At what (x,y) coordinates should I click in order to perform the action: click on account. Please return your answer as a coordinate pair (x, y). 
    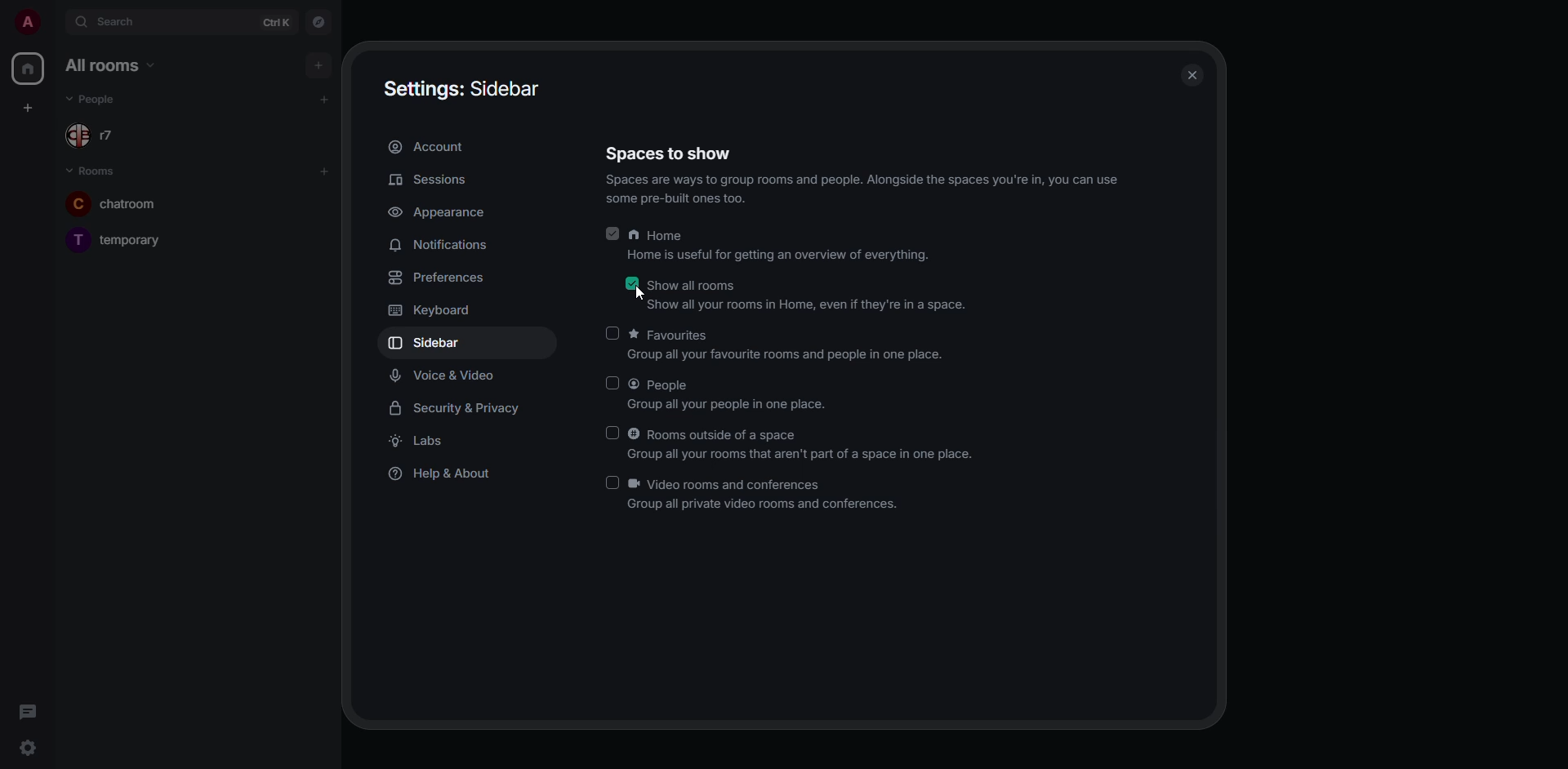
    Looking at the image, I should click on (433, 147).